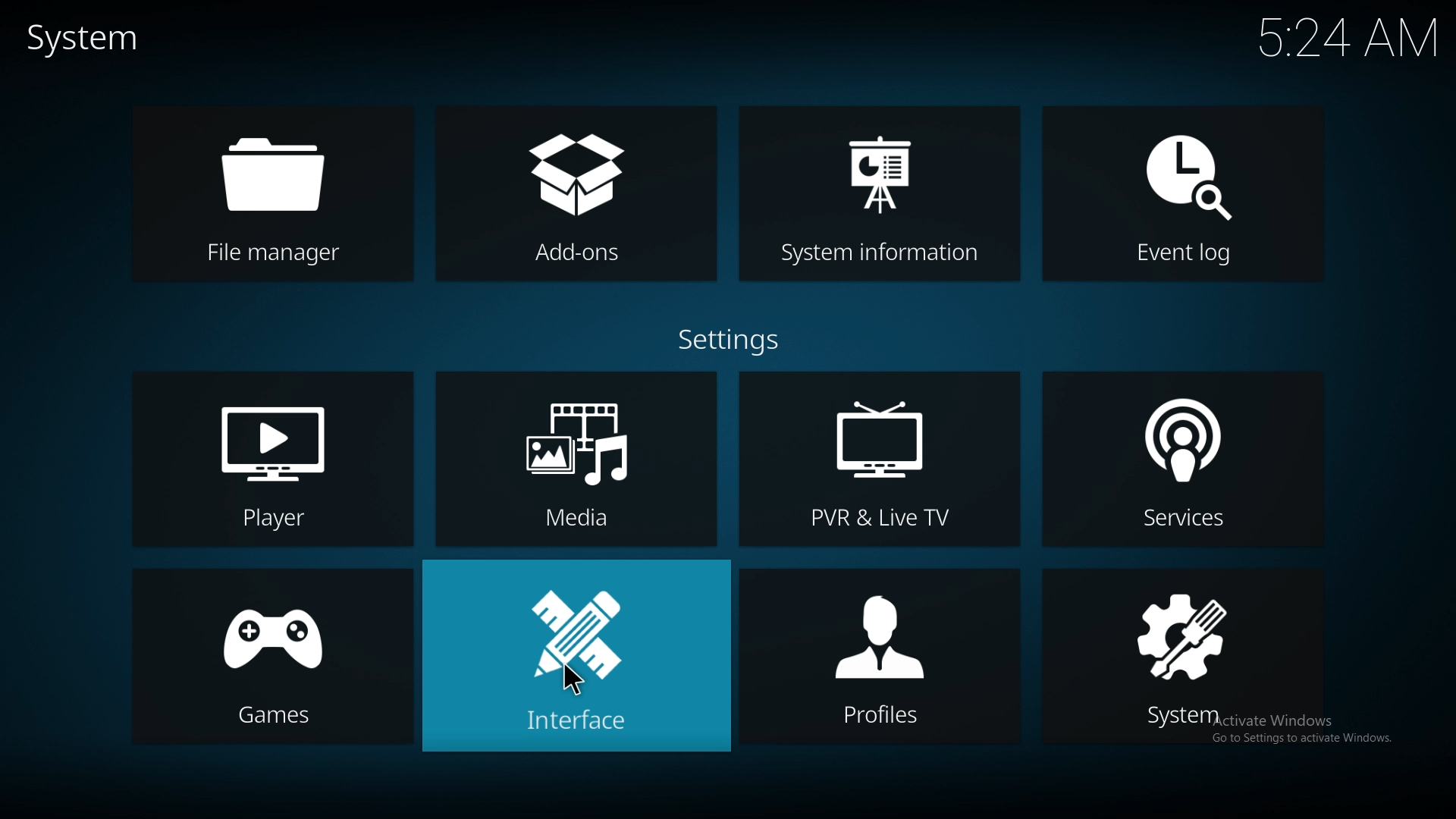  Describe the element at coordinates (880, 654) in the screenshot. I see `profiles` at that location.